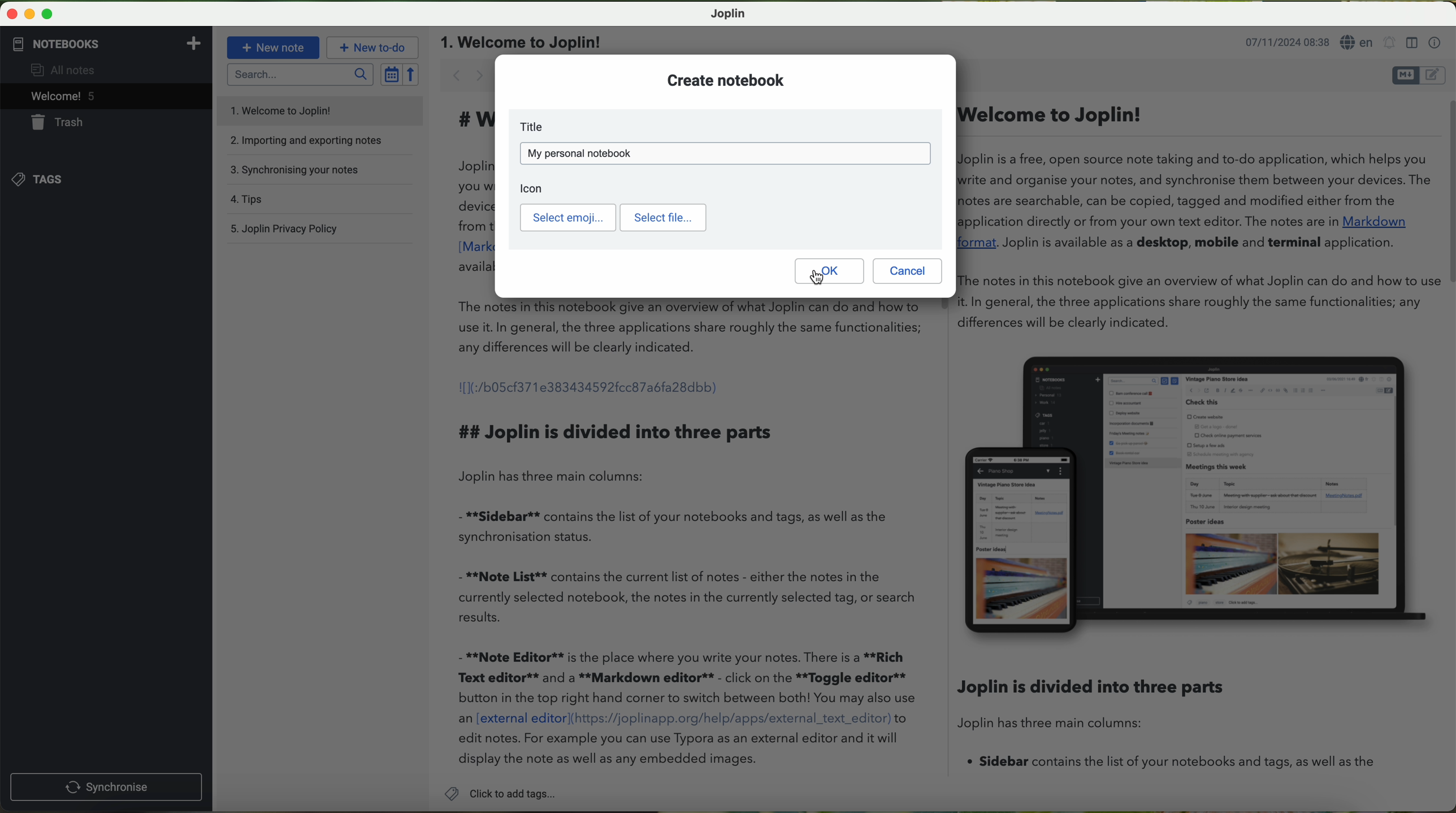 The width and height of the screenshot is (1456, 813). What do you see at coordinates (273, 47) in the screenshot?
I see `new note button` at bounding box center [273, 47].